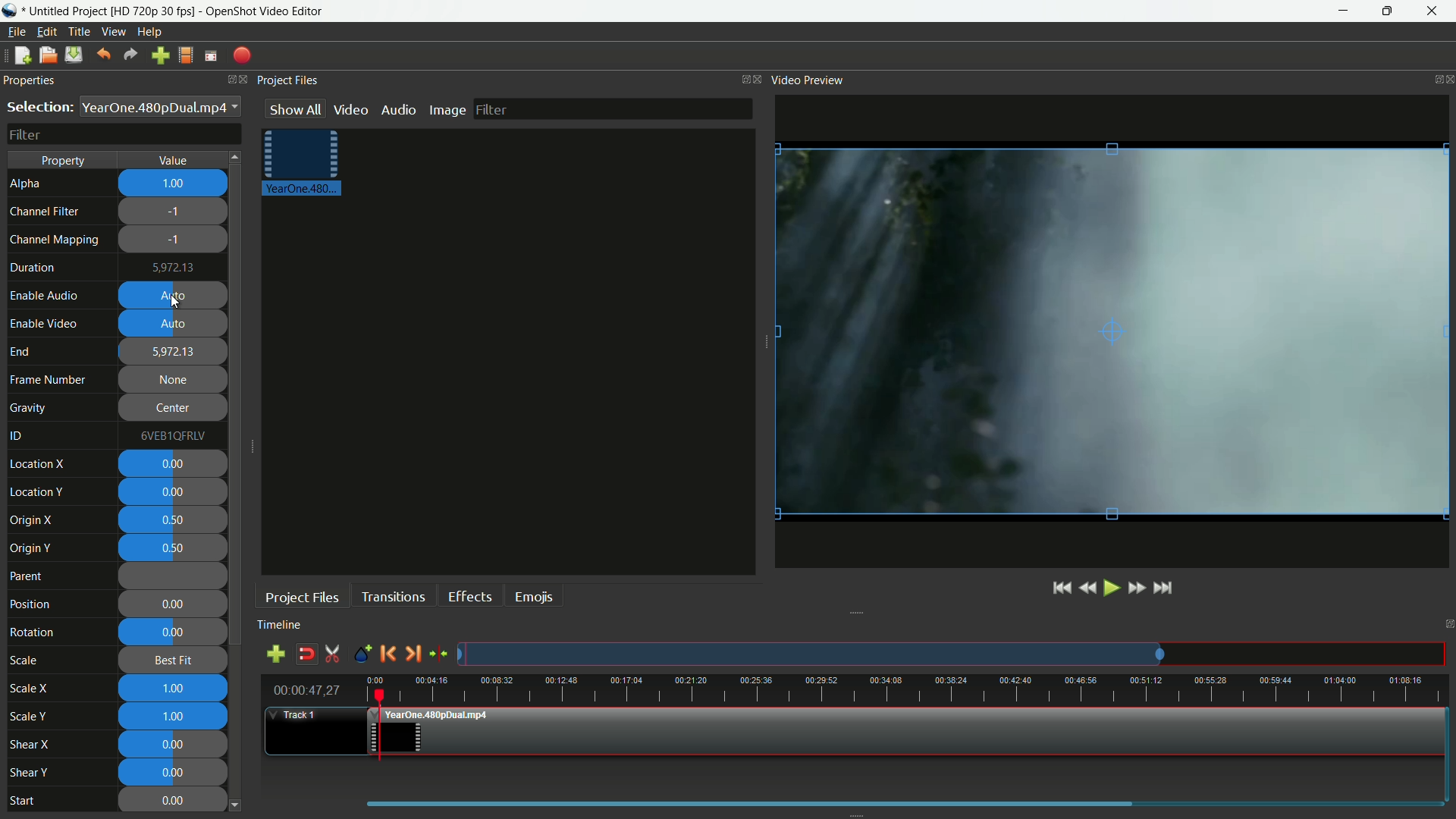 The width and height of the screenshot is (1456, 819). I want to click on undo, so click(103, 55).